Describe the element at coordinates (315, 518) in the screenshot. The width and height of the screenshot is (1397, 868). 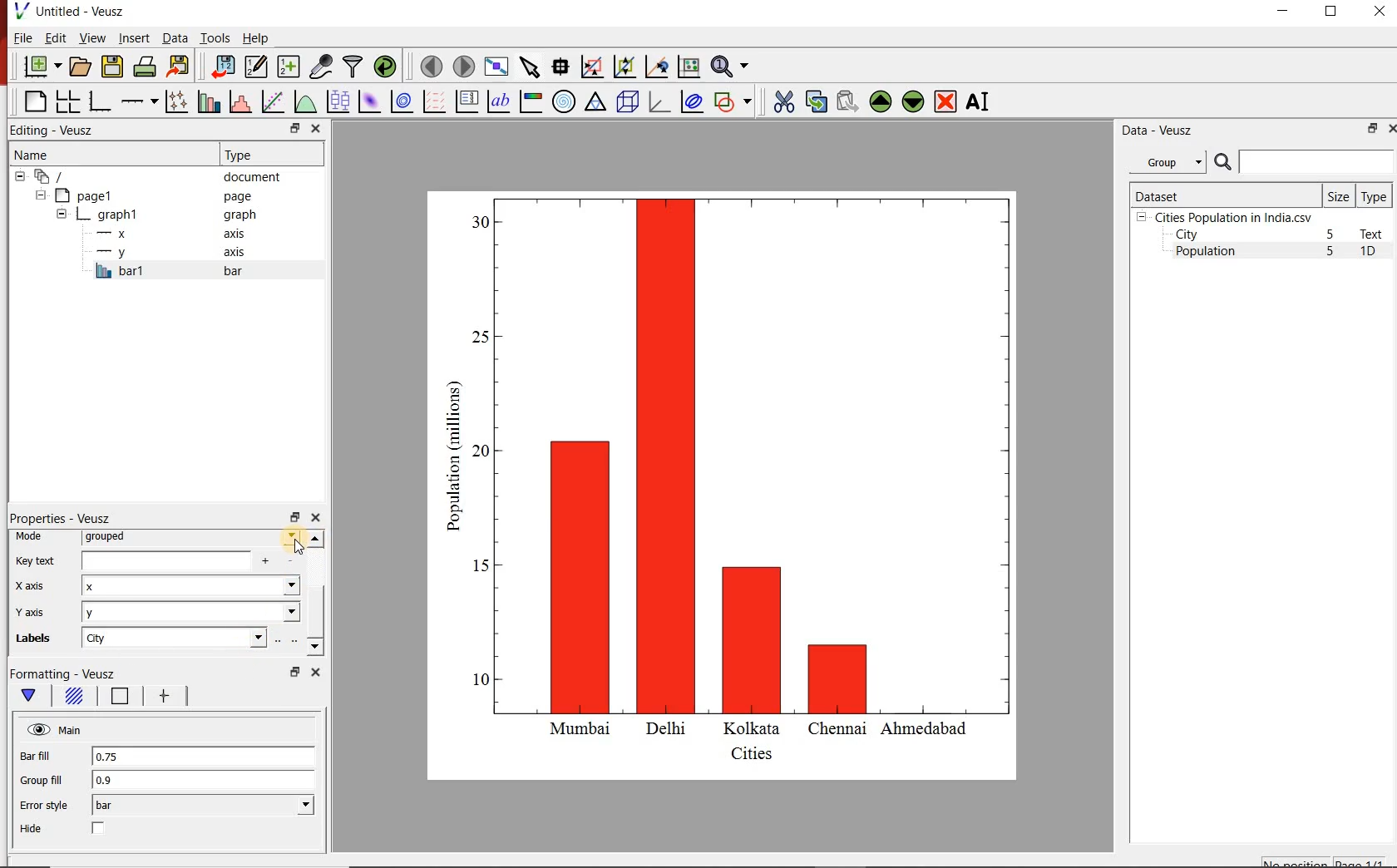
I see `close` at that location.